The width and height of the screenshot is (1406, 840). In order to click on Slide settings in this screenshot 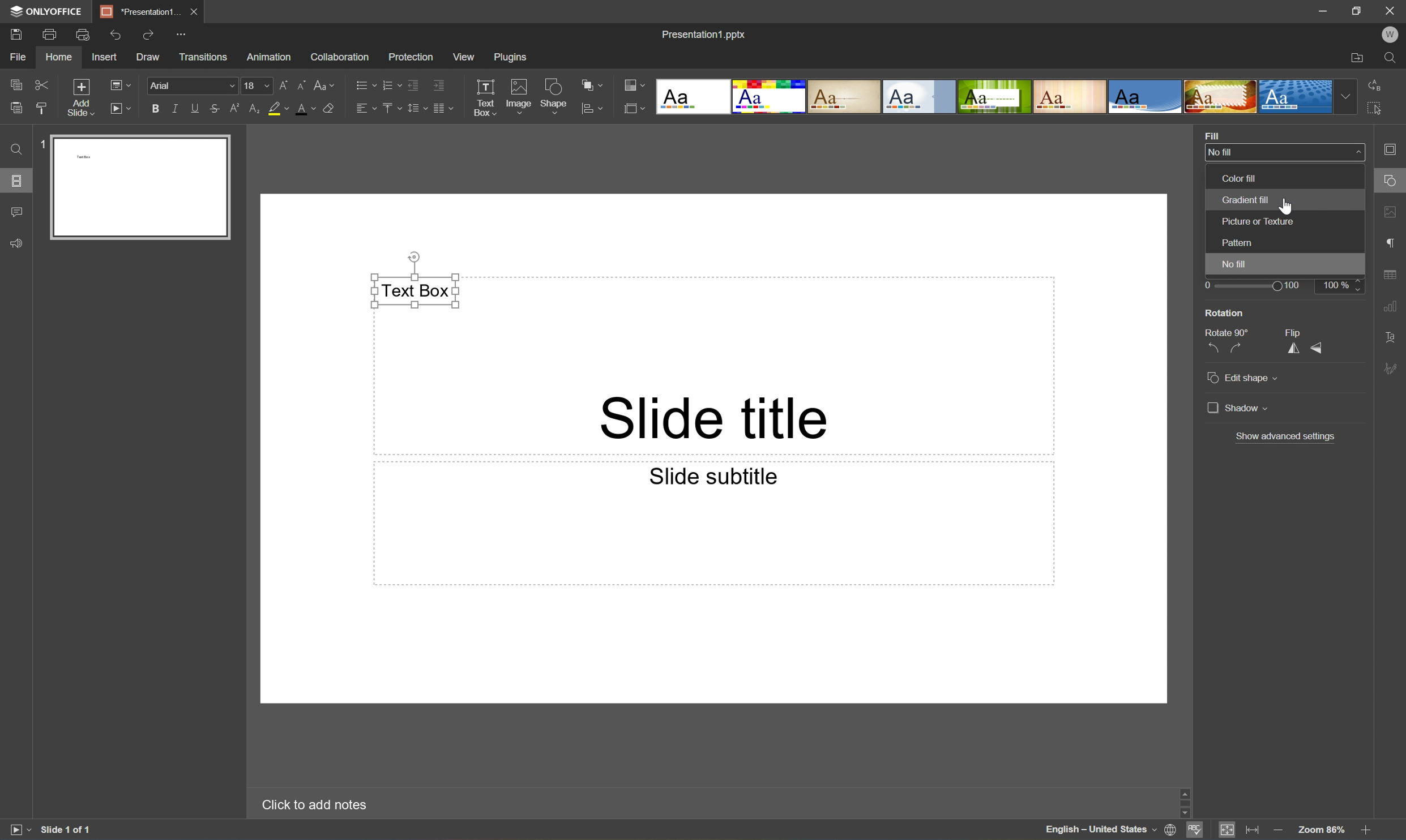, I will do `click(1395, 150)`.